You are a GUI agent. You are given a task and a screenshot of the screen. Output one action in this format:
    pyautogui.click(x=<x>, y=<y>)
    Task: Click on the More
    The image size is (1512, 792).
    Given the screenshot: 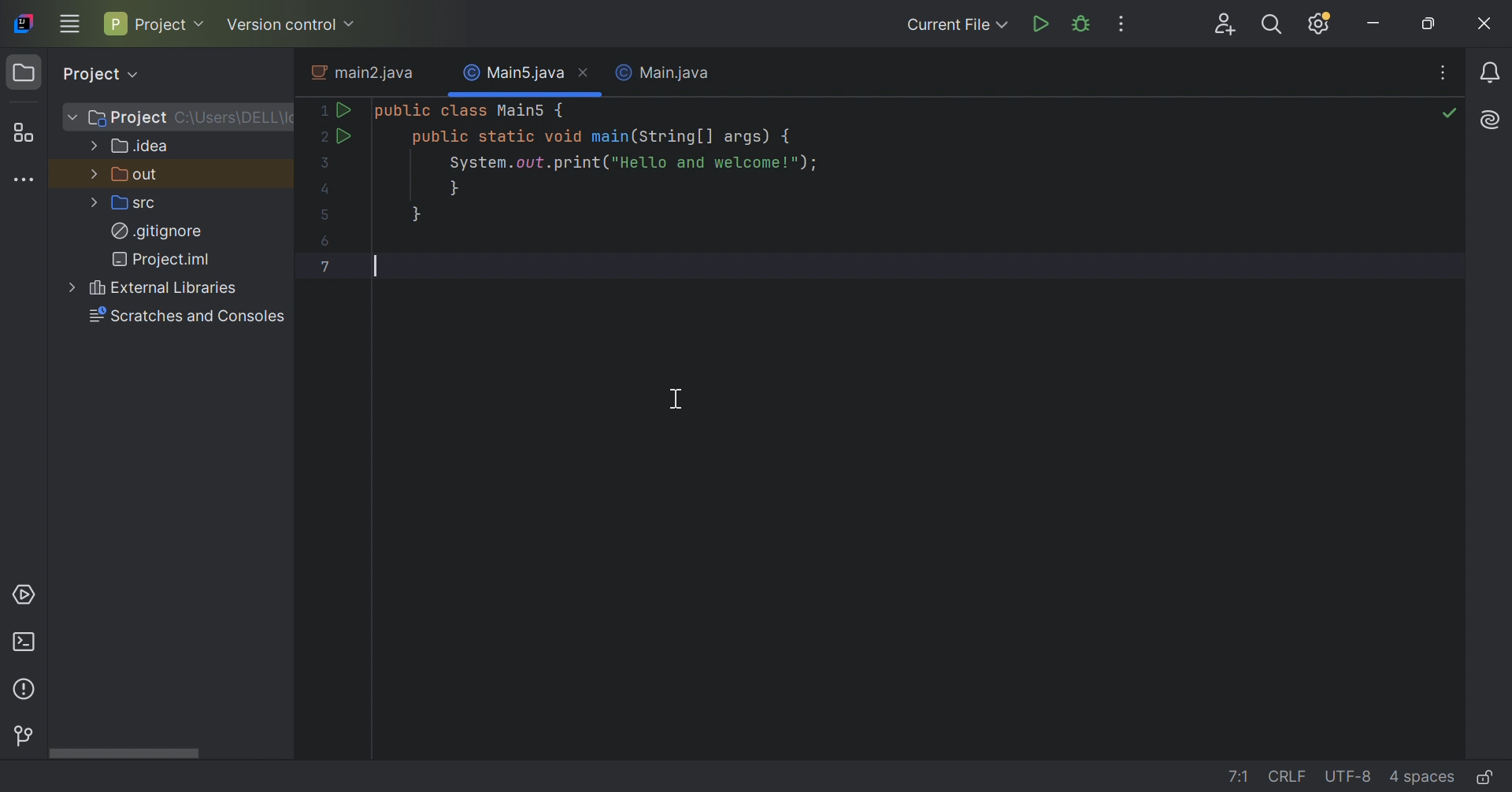 What is the action you would take?
    pyautogui.click(x=69, y=116)
    